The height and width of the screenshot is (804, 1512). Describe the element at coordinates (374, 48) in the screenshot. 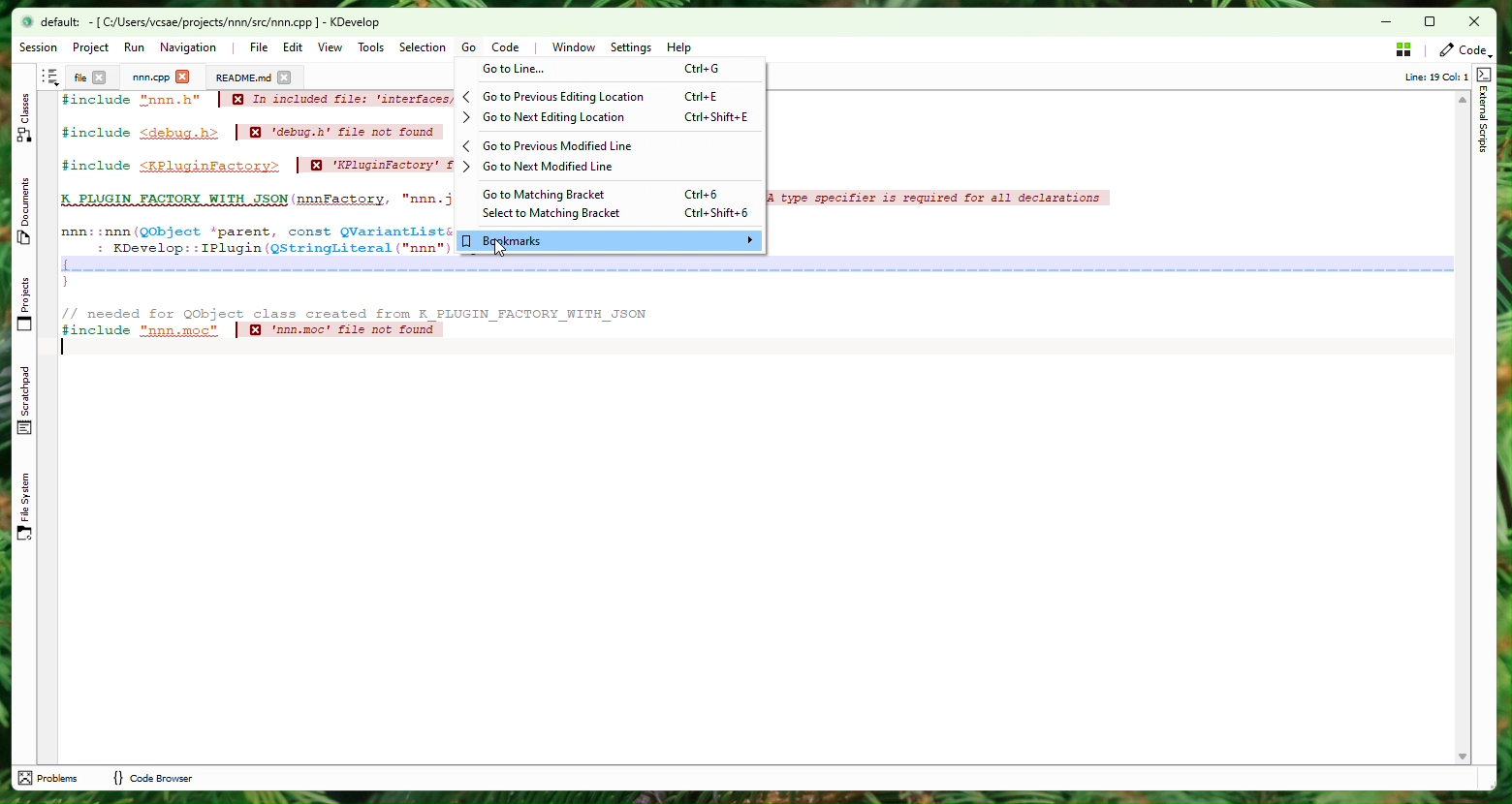

I see `Tools` at that location.